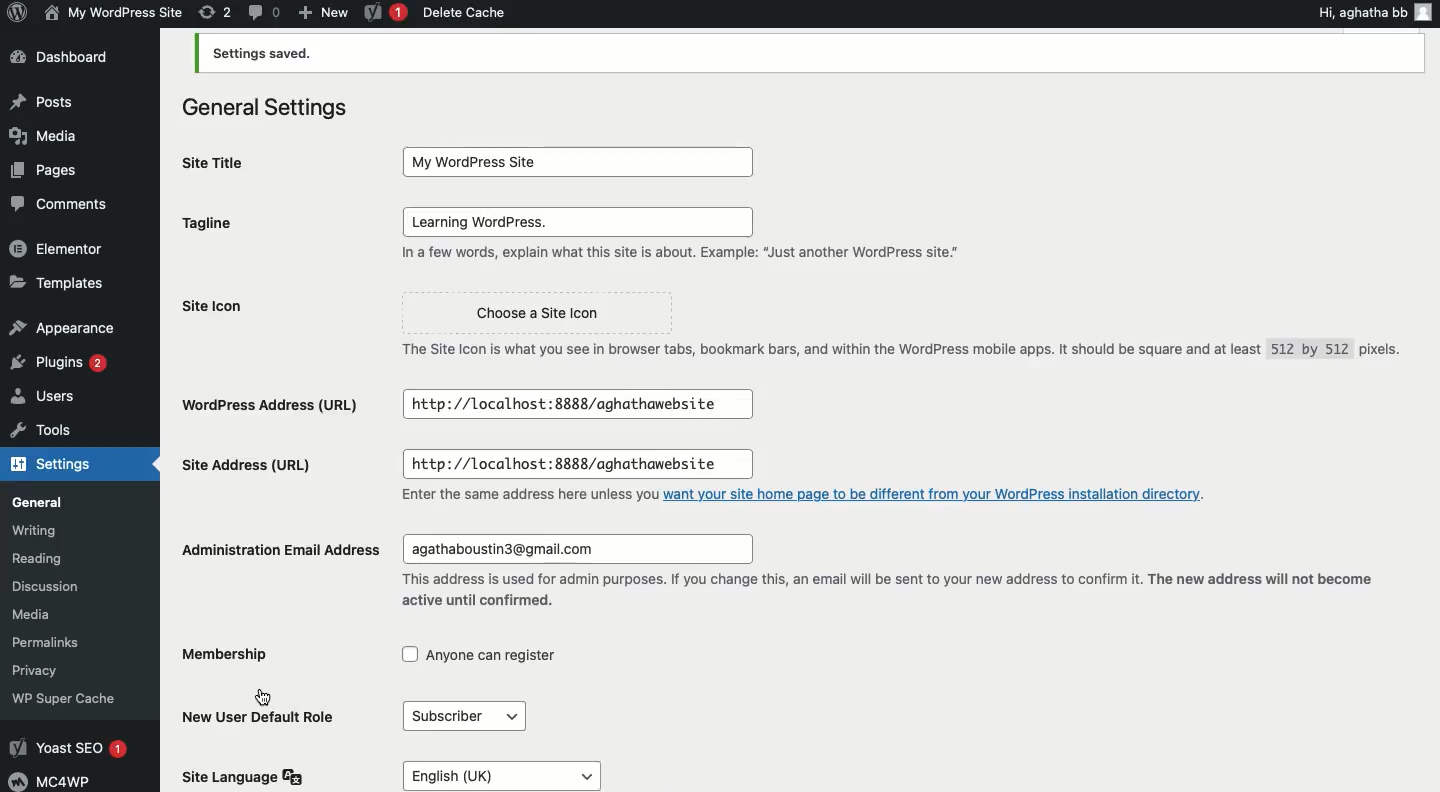  Describe the element at coordinates (259, 223) in the screenshot. I see `Tagline` at that location.